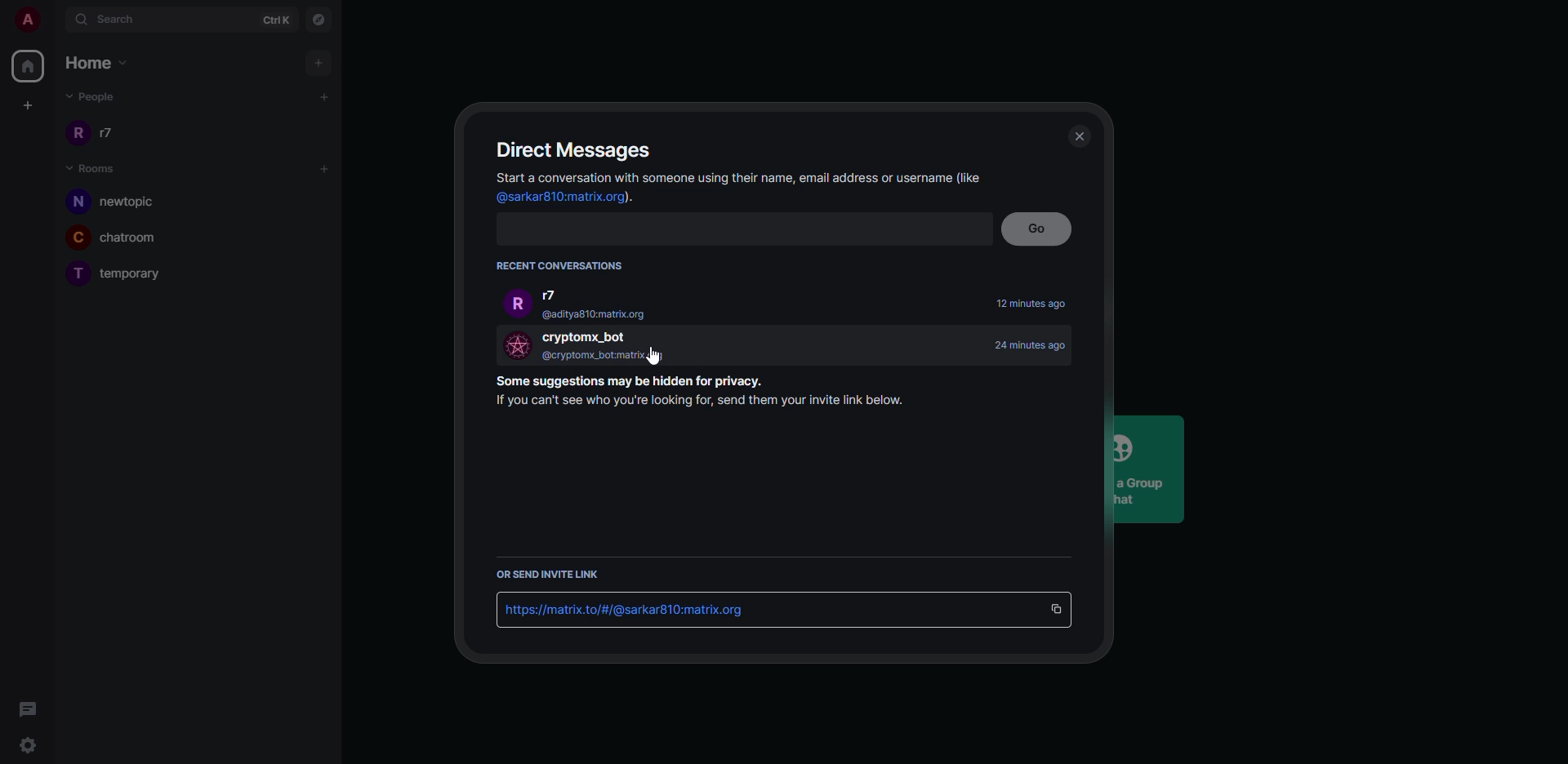 The height and width of the screenshot is (764, 1568). What do you see at coordinates (1040, 344) in the screenshot?
I see `time` at bounding box center [1040, 344].